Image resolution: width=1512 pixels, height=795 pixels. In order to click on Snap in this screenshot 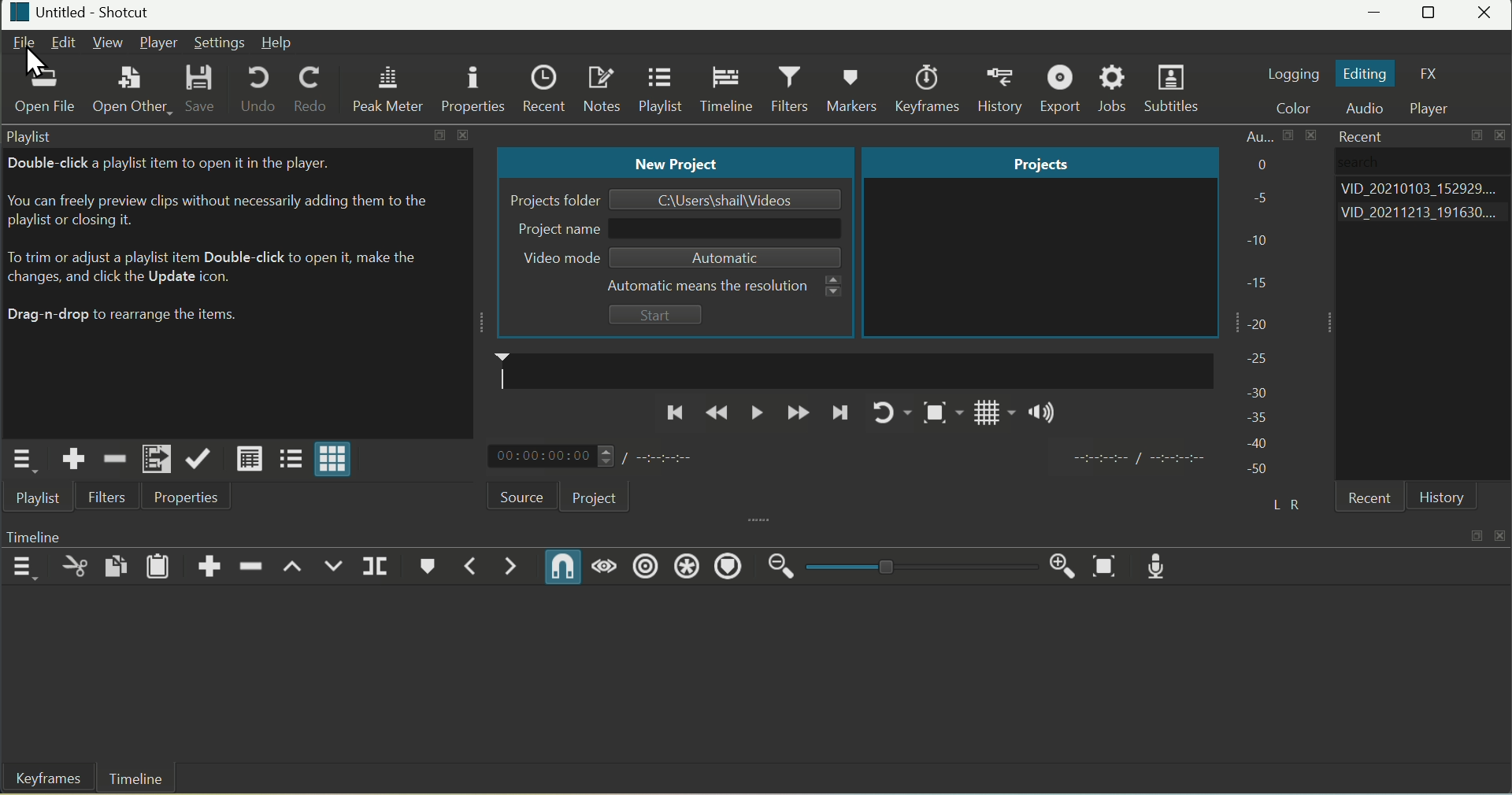, I will do `click(561, 566)`.